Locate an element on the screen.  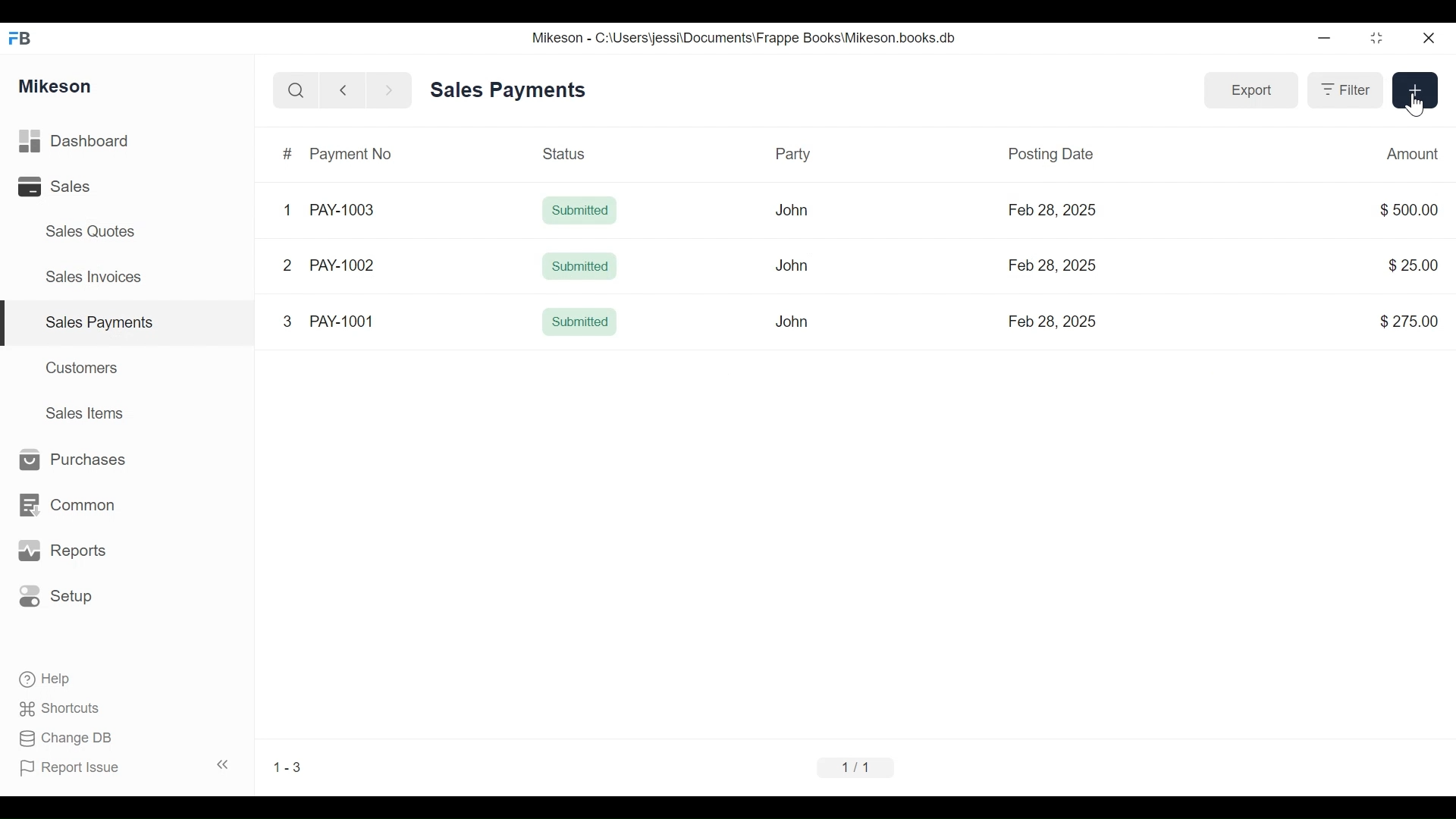
Change DB is located at coordinates (70, 739).